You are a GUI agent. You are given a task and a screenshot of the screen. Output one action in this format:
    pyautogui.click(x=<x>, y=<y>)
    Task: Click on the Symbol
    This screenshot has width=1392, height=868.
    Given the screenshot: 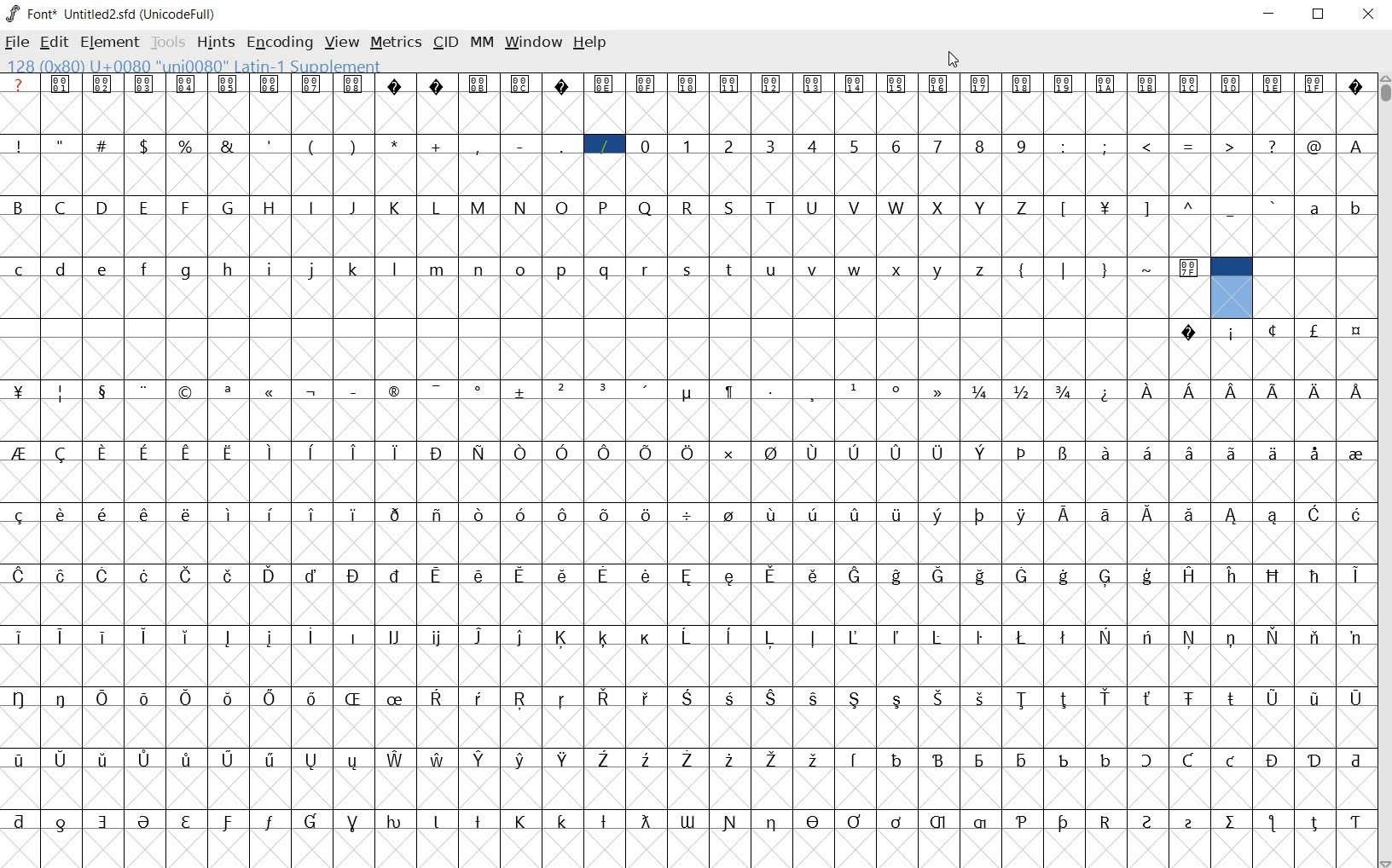 What is the action you would take?
    pyautogui.click(x=1273, y=454)
    